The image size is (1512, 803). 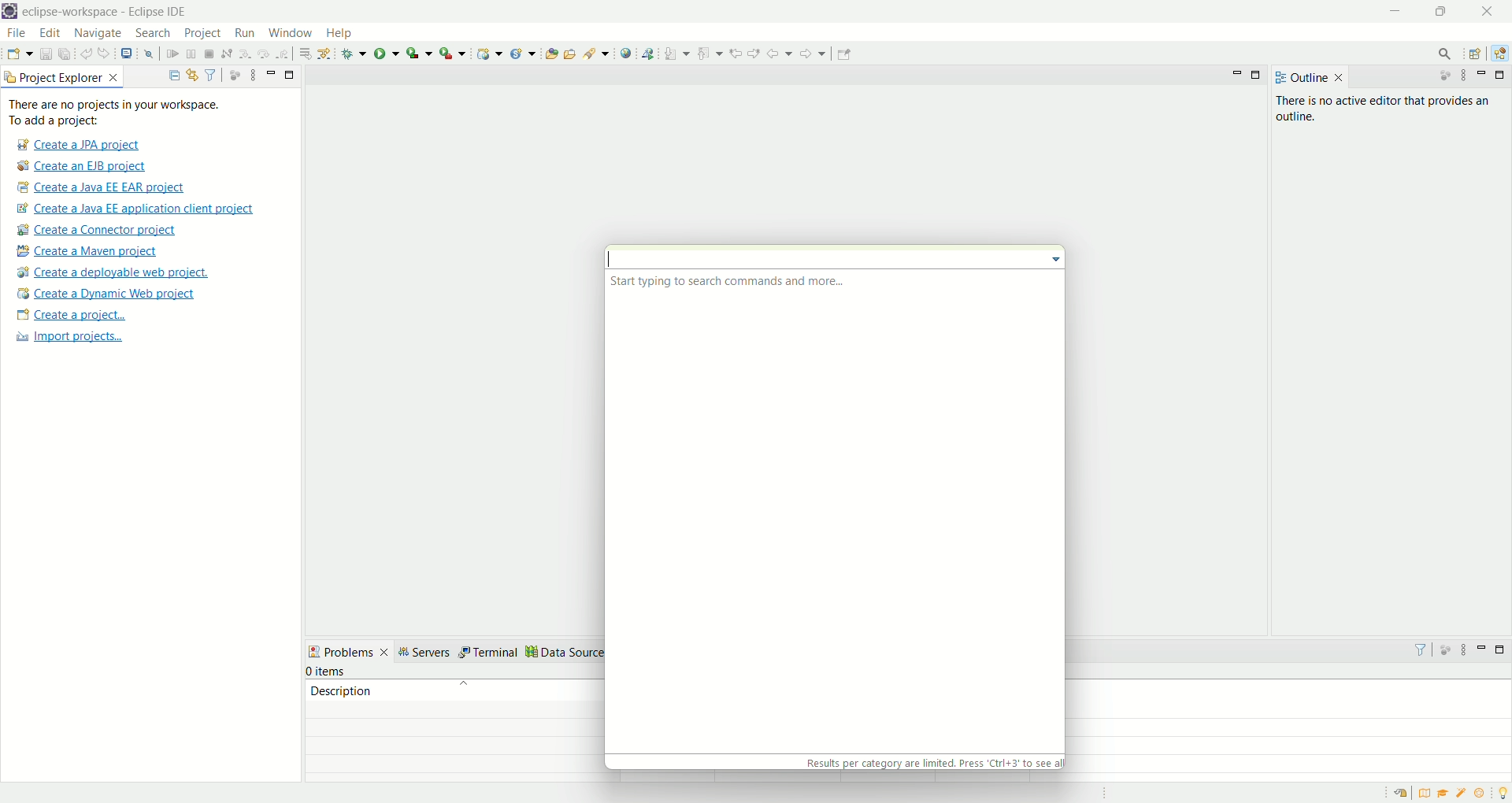 What do you see at coordinates (1500, 54) in the screenshot?
I see `Java EE` at bounding box center [1500, 54].